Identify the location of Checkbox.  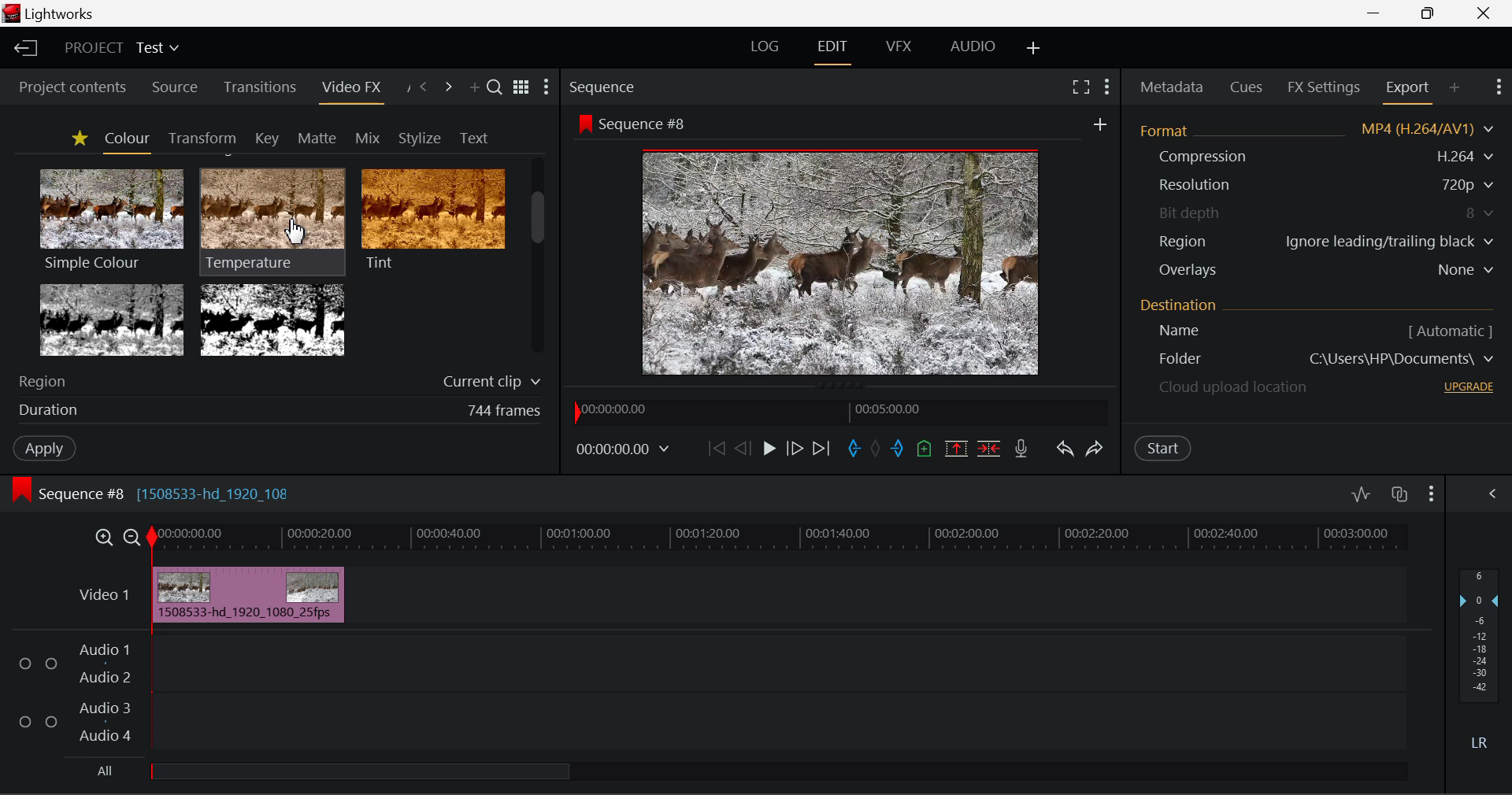
(52, 663).